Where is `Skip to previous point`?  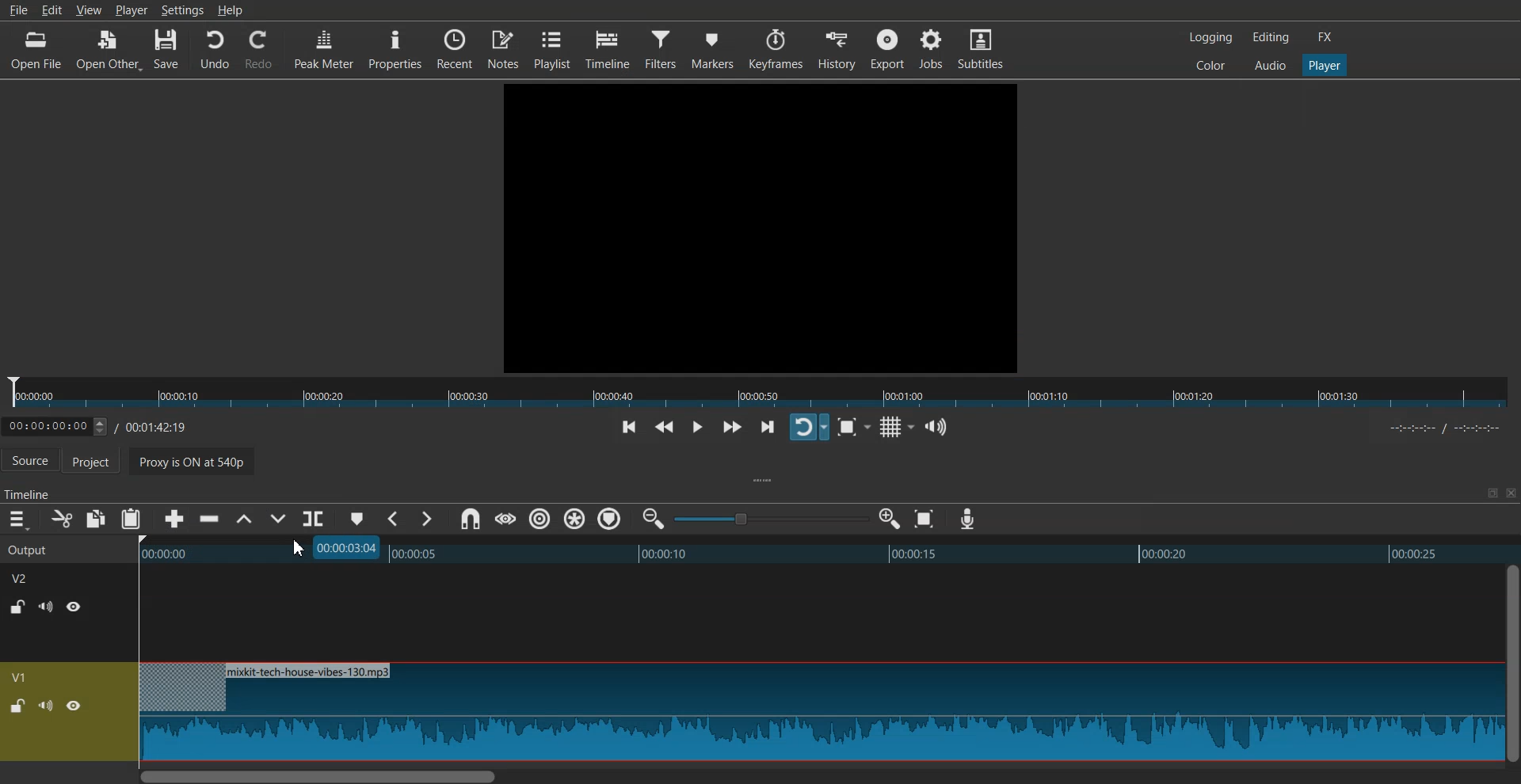 Skip to previous point is located at coordinates (629, 428).